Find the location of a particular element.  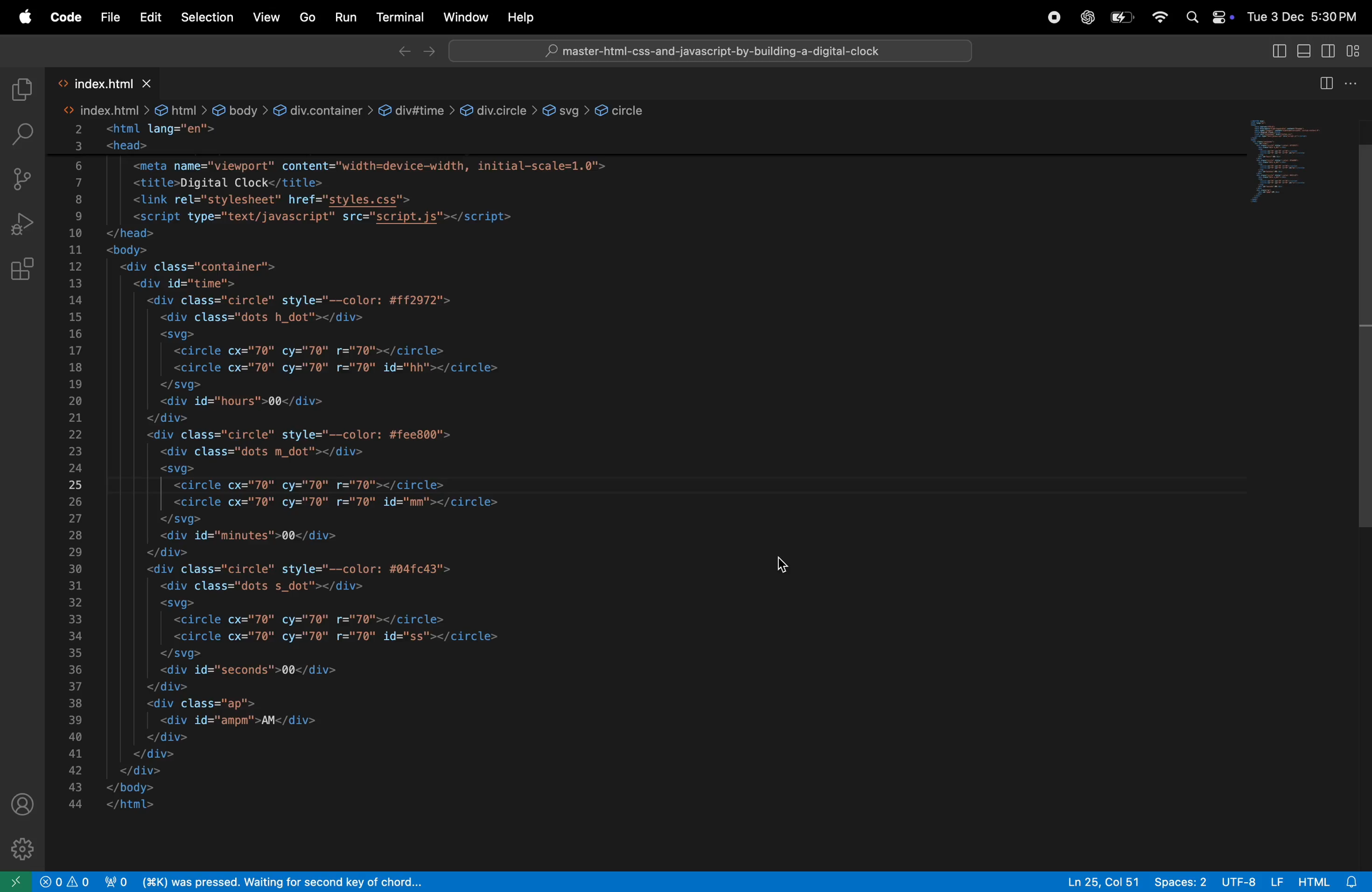

index.html is located at coordinates (103, 82).